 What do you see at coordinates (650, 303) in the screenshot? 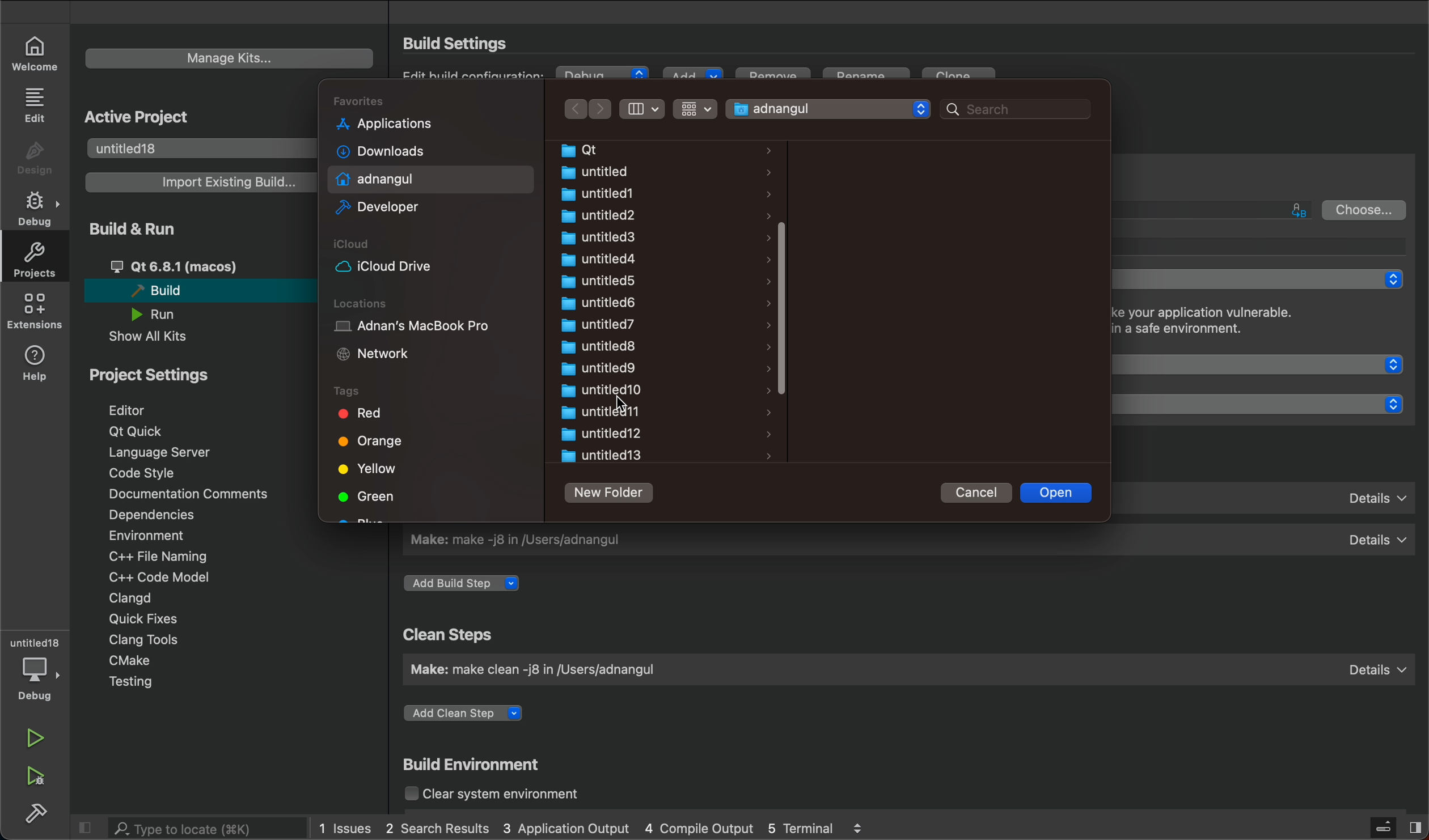
I see `untitled6` at bounding box center [650, 303].